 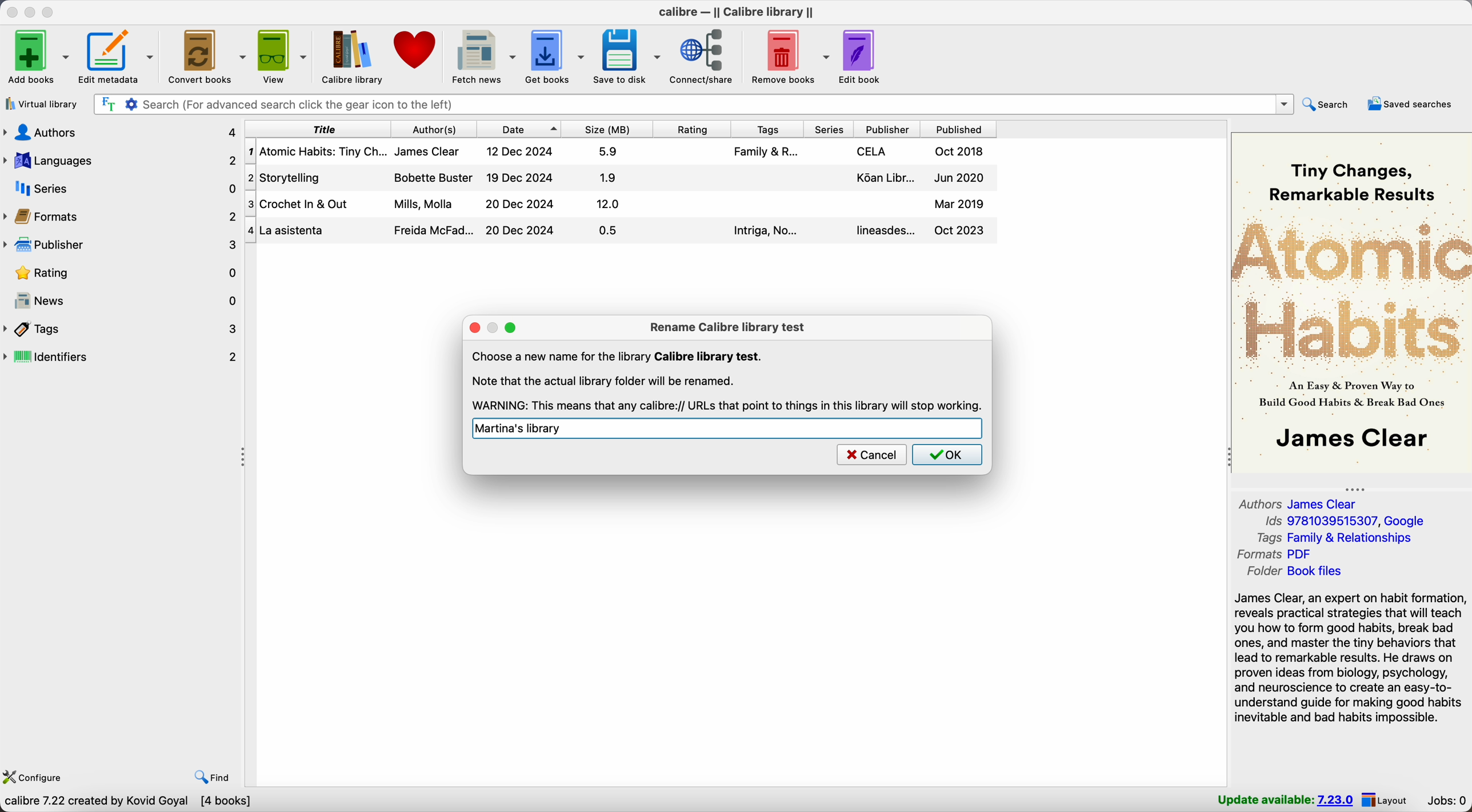 I want to click on jobs: 0, so click(x=1444, y=799).